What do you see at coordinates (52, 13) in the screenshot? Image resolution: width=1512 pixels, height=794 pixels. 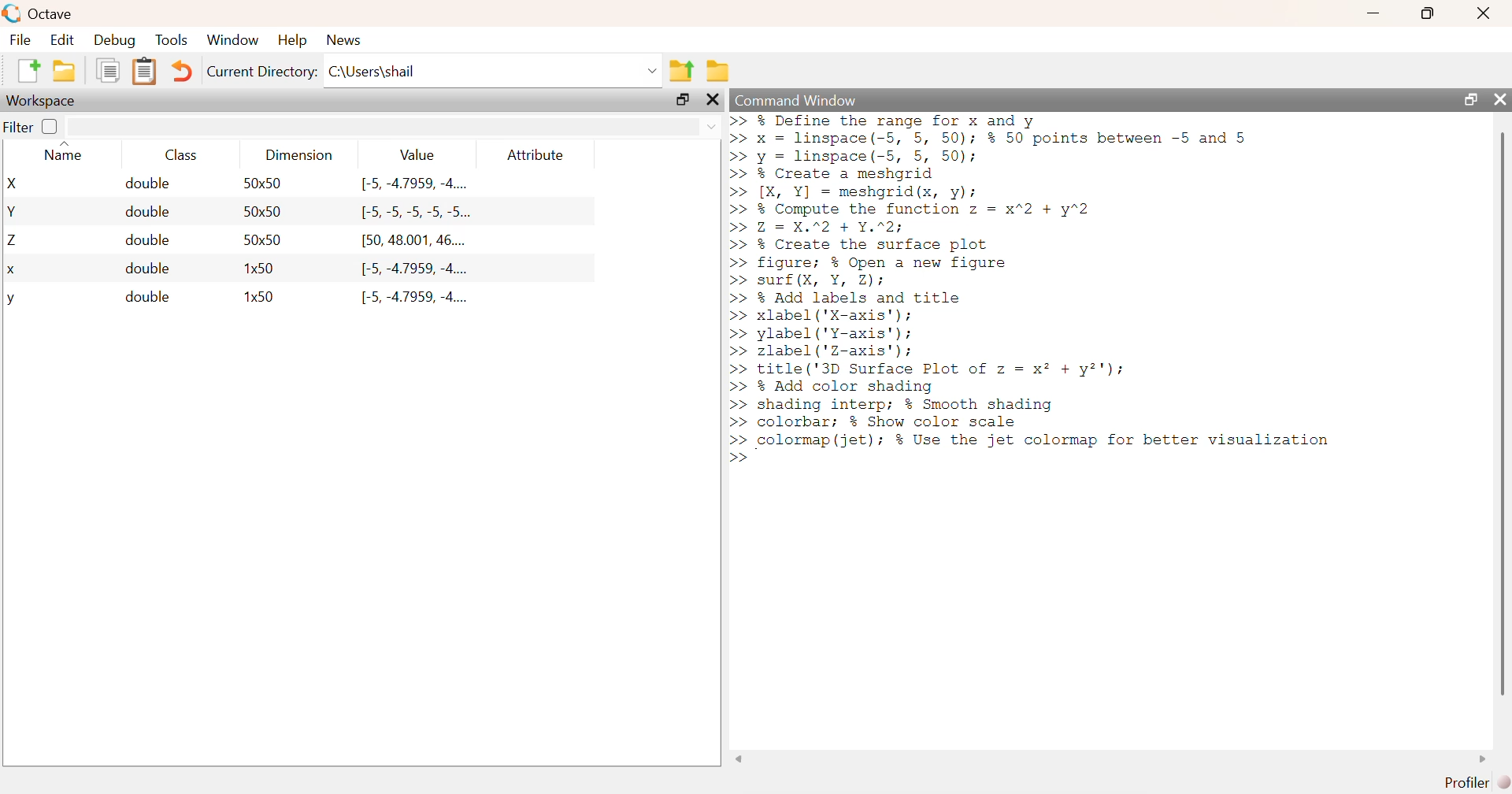 I see `Octave` at bounding box center [52, 13].